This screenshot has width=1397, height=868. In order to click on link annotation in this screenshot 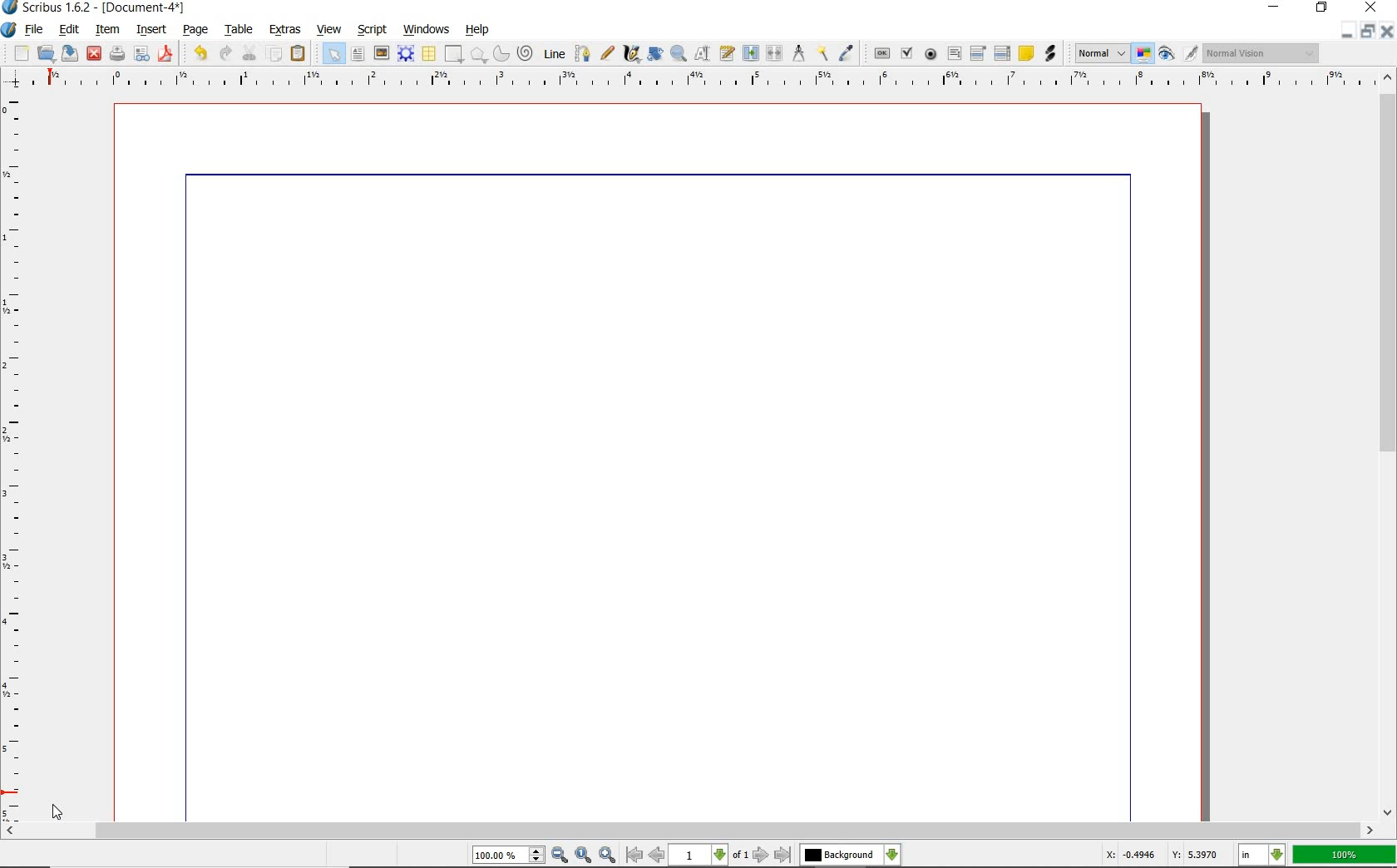, I will do `click(1050, 52)`.